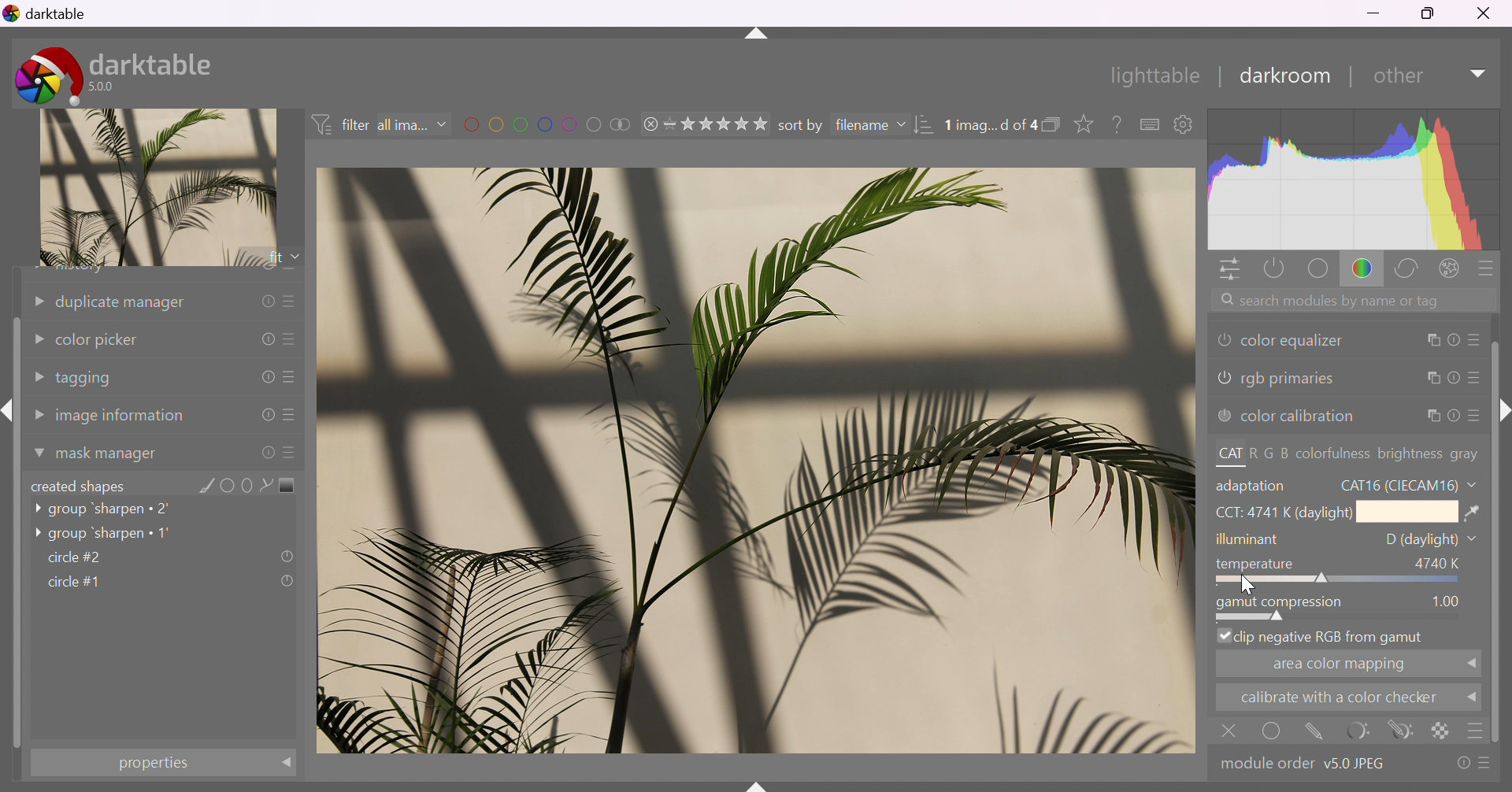 The height and width of the screenshot is (792, 1512). What do you see at coordinates (1376, 13) in the screenshot?
I see `minimize` at bounding box center [1376, 13].